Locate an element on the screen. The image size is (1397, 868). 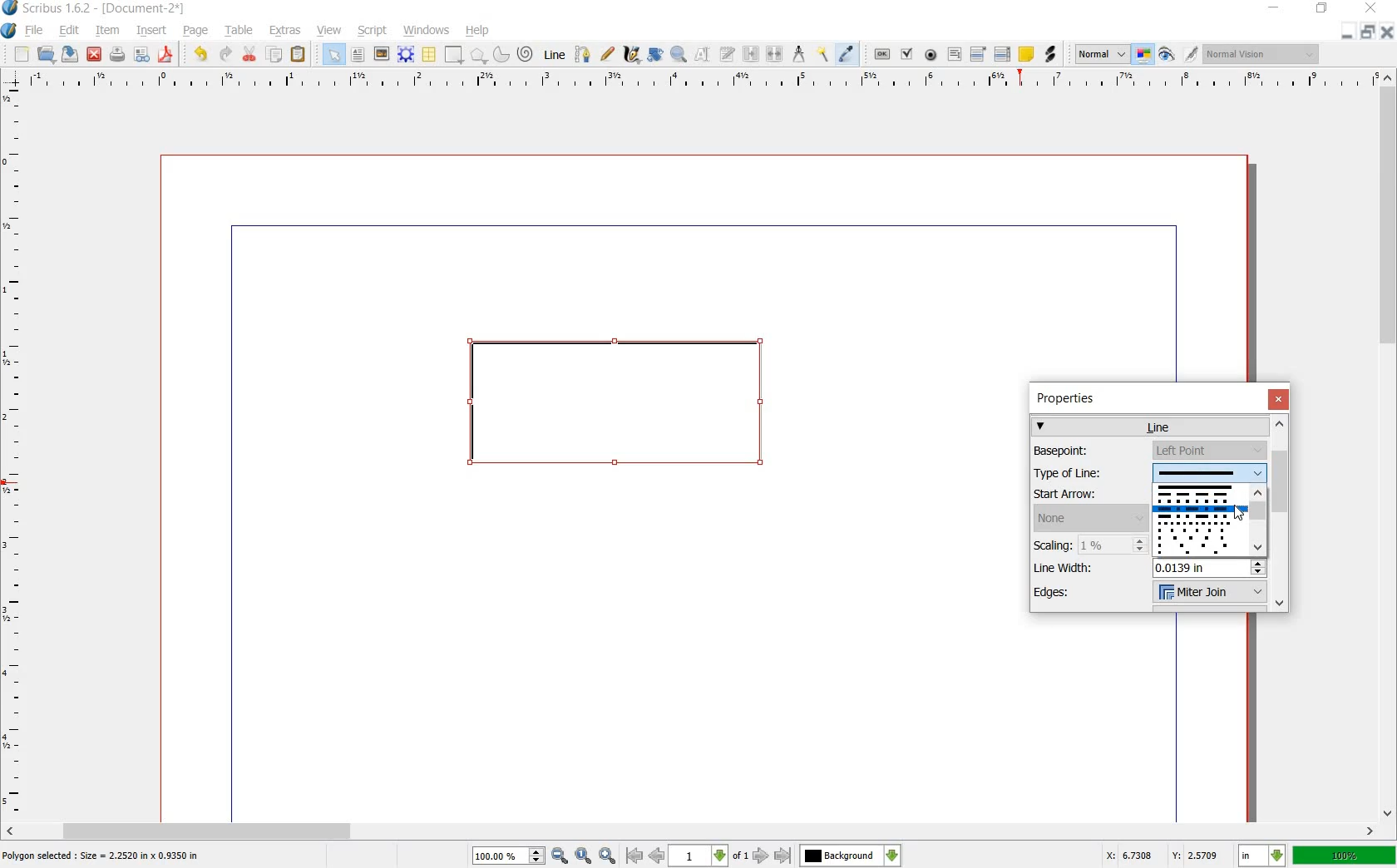
REDO is located at coordinates (226, 55).